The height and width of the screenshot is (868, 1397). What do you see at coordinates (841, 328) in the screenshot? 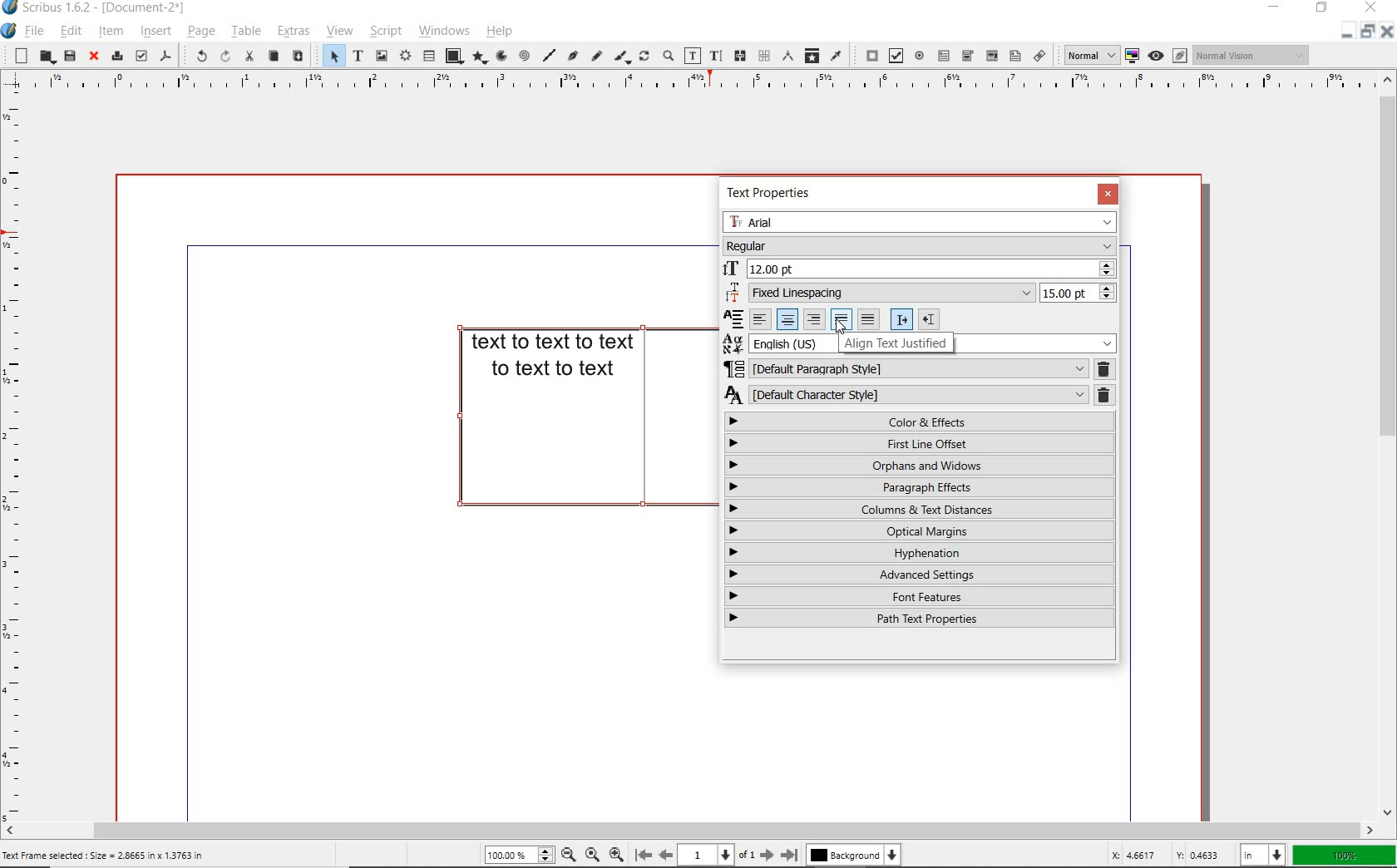
I see `cursor` at bounding box center [841, 328].